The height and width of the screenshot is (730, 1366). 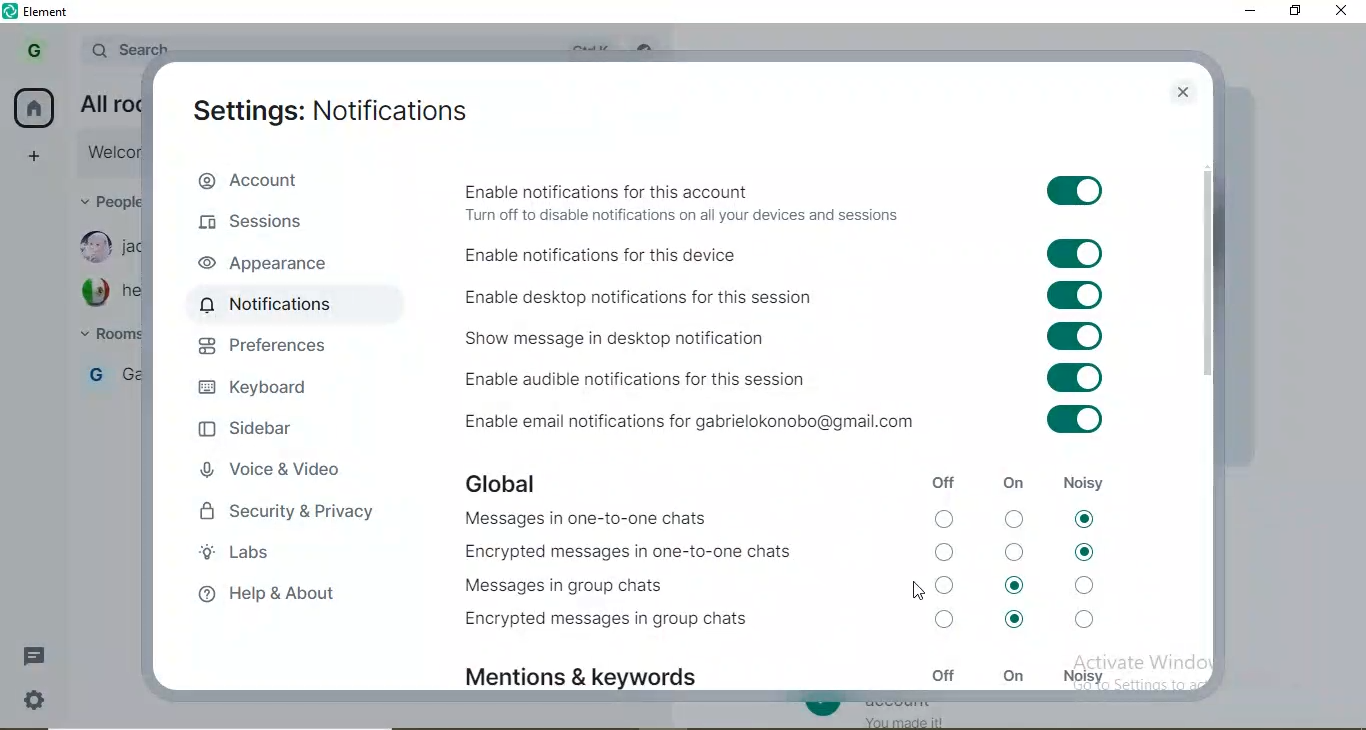 I want to click on switch on, so click(x=1015, y=585).